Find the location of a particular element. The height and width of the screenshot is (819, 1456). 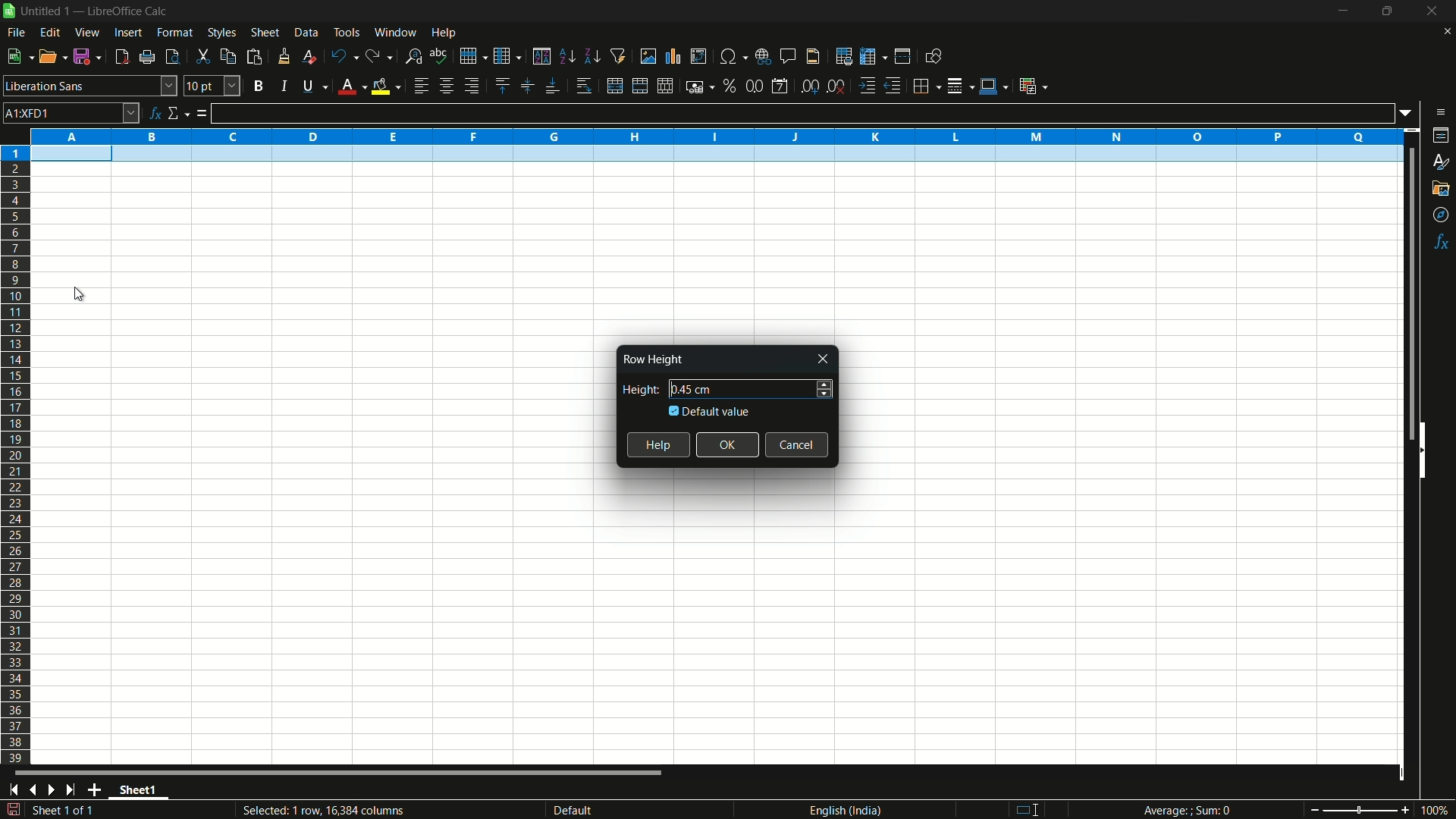

unmerge cells is located at coordinates (666, 86).